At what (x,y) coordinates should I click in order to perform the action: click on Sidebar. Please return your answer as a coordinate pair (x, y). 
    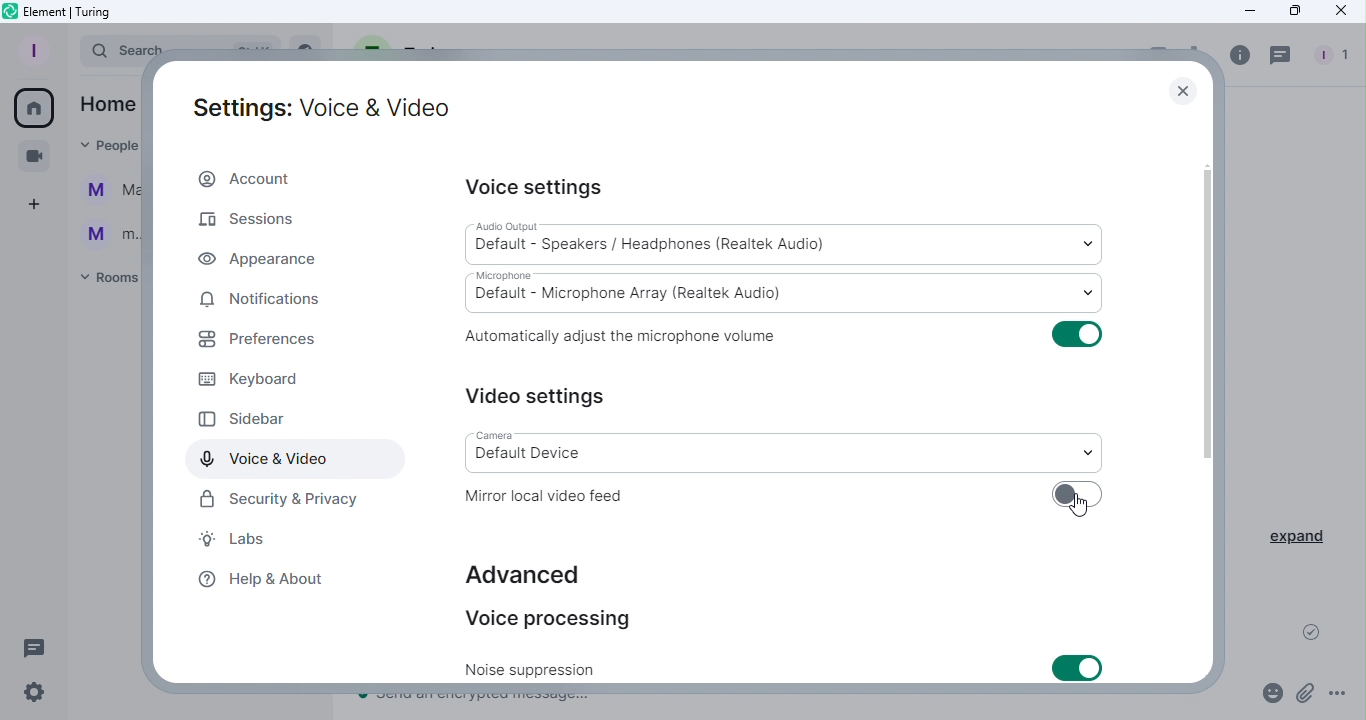
    Looking at the image, I should click on (281, 421).